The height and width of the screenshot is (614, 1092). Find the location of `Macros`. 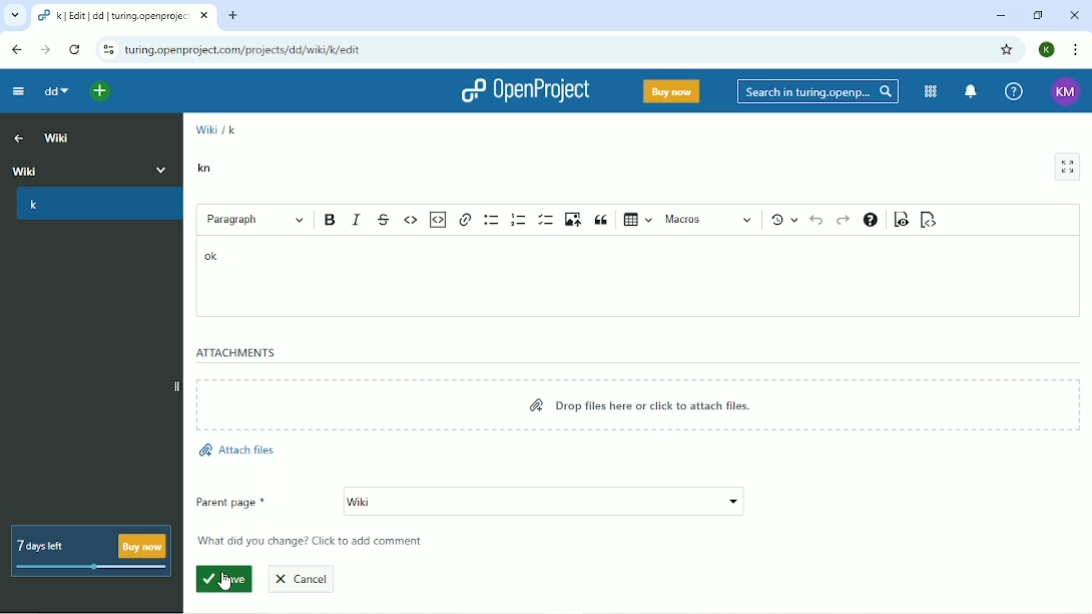

Macros is located at coordinates (710, 221).